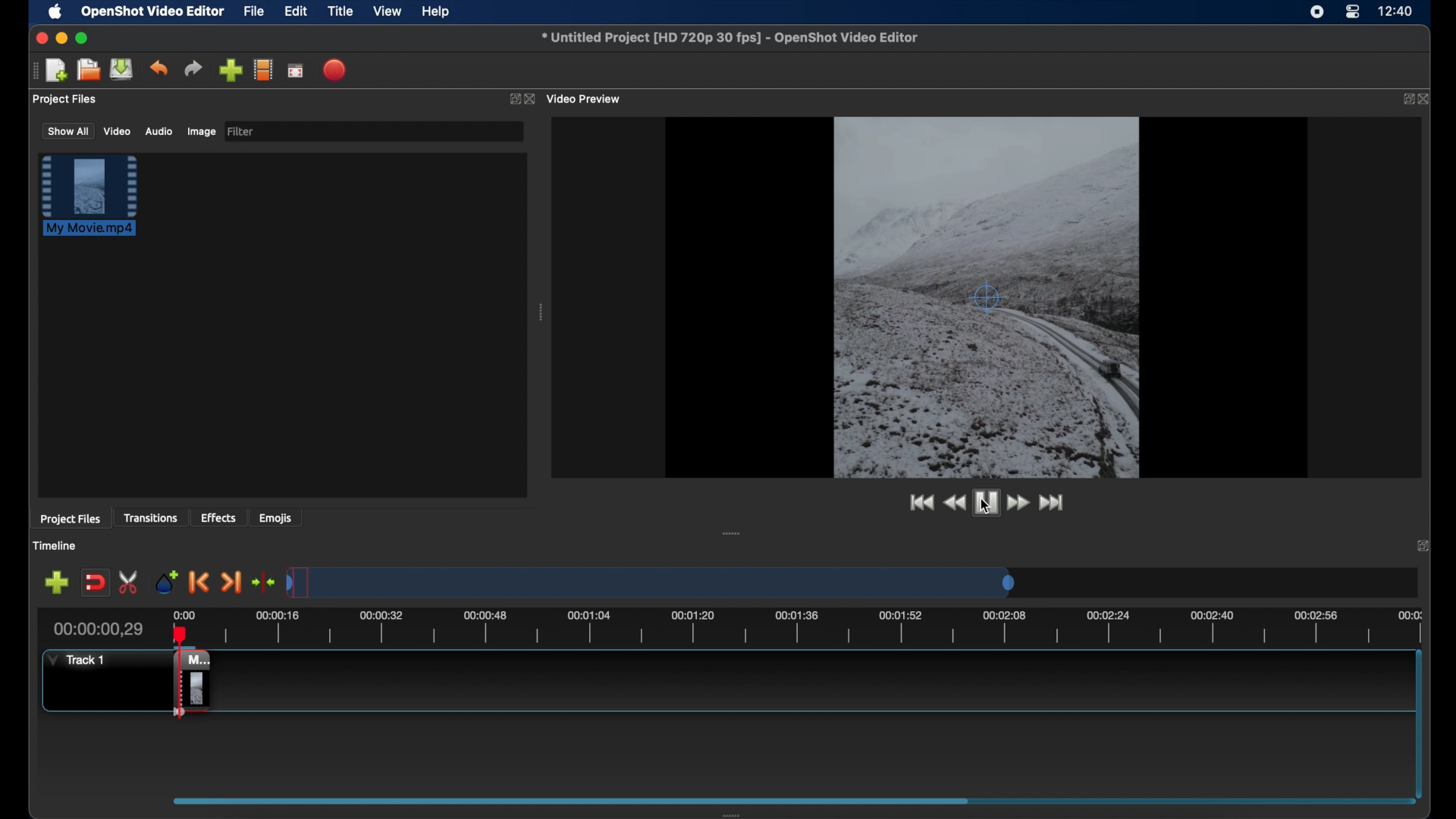 The width and height of the screenshot is (1456, 819). I want to click on explore profiles, so click(262, 69).